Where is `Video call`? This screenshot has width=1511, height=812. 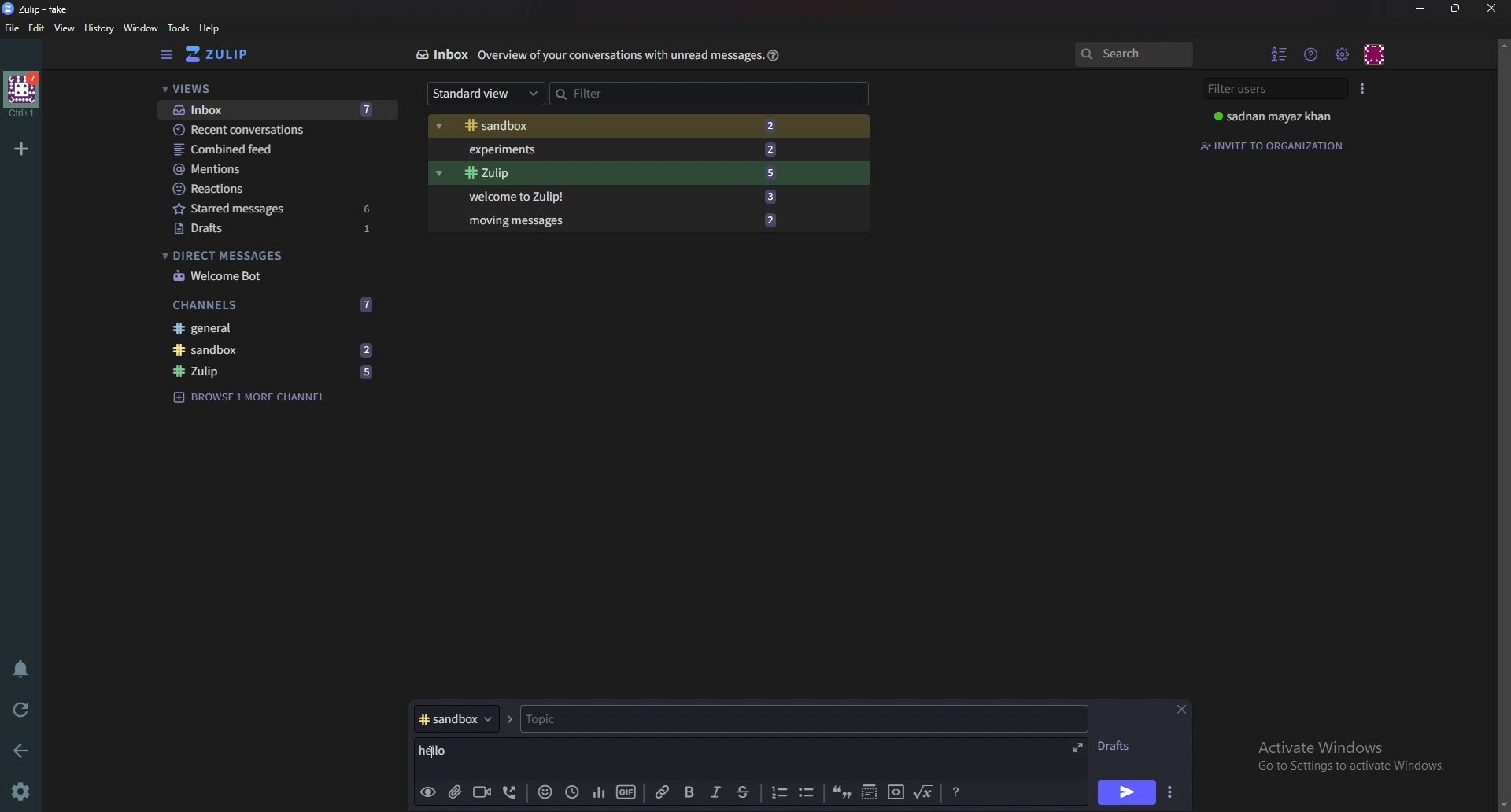
Video call is located at coordinates (484, 792).